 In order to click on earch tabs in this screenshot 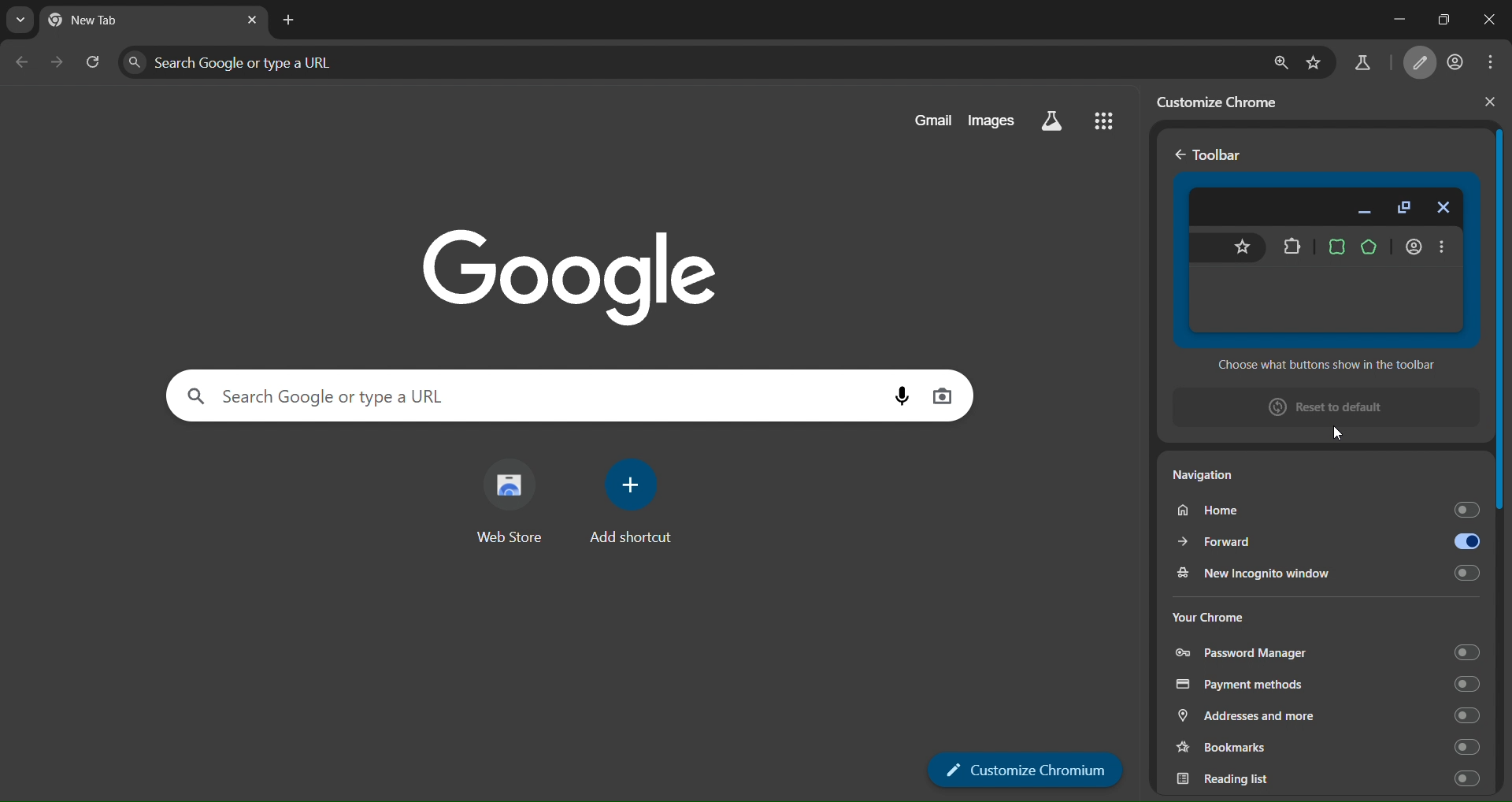, I will do `click(17, 20)`.